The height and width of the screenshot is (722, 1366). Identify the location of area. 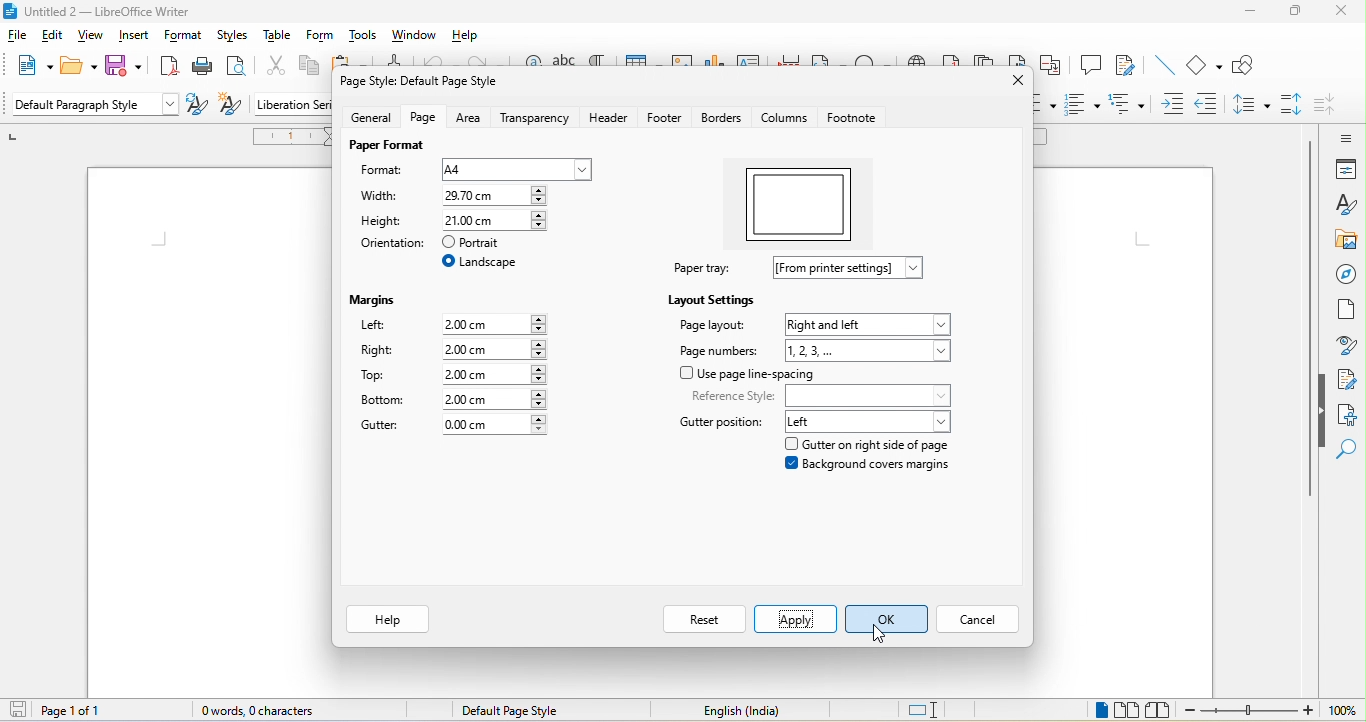
(471, 118).